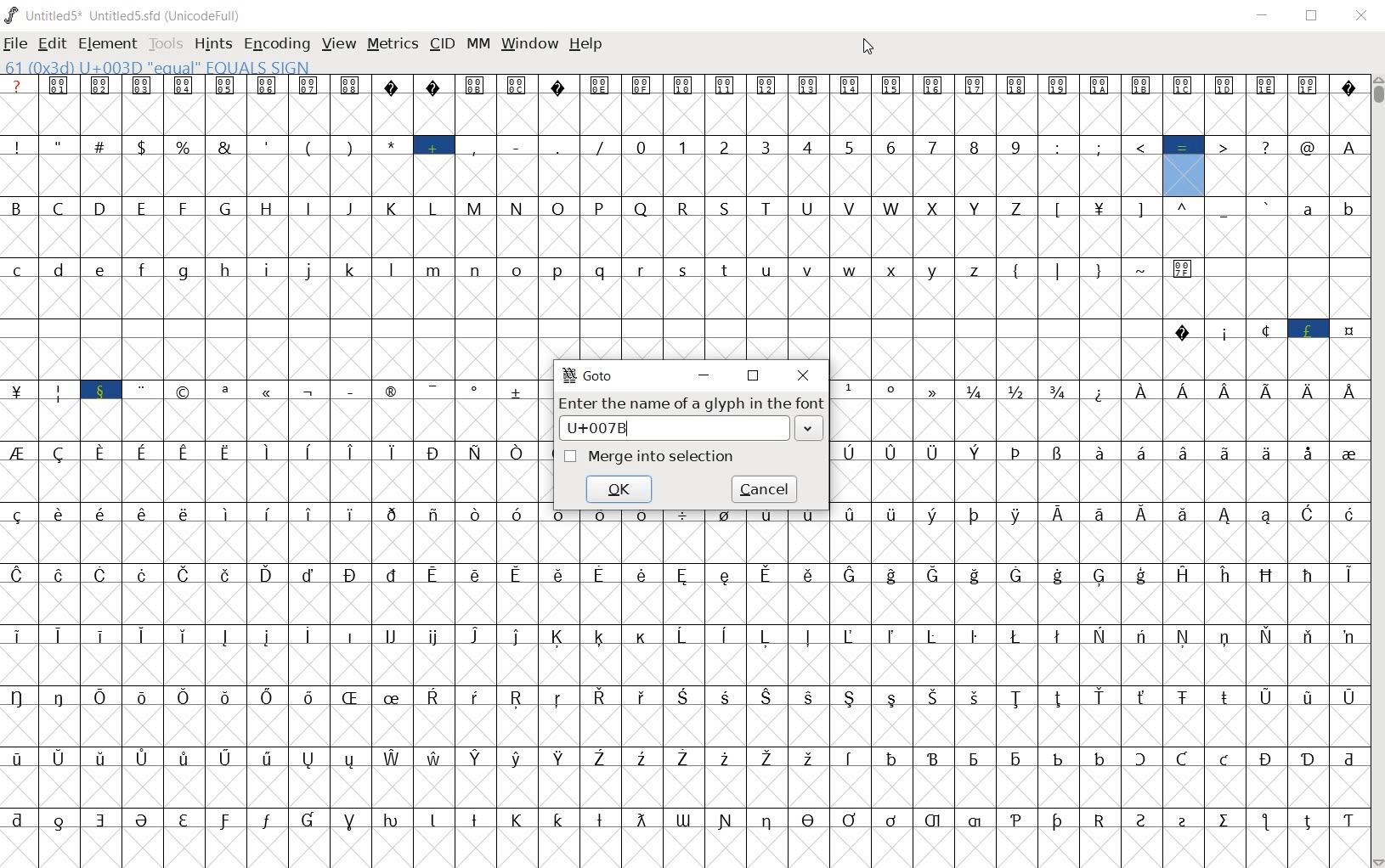 The image size is (1385, 868). I want to click on UNTITLED5* uNTITLED5.SFD (UnicodeFull), so click(124, 16).